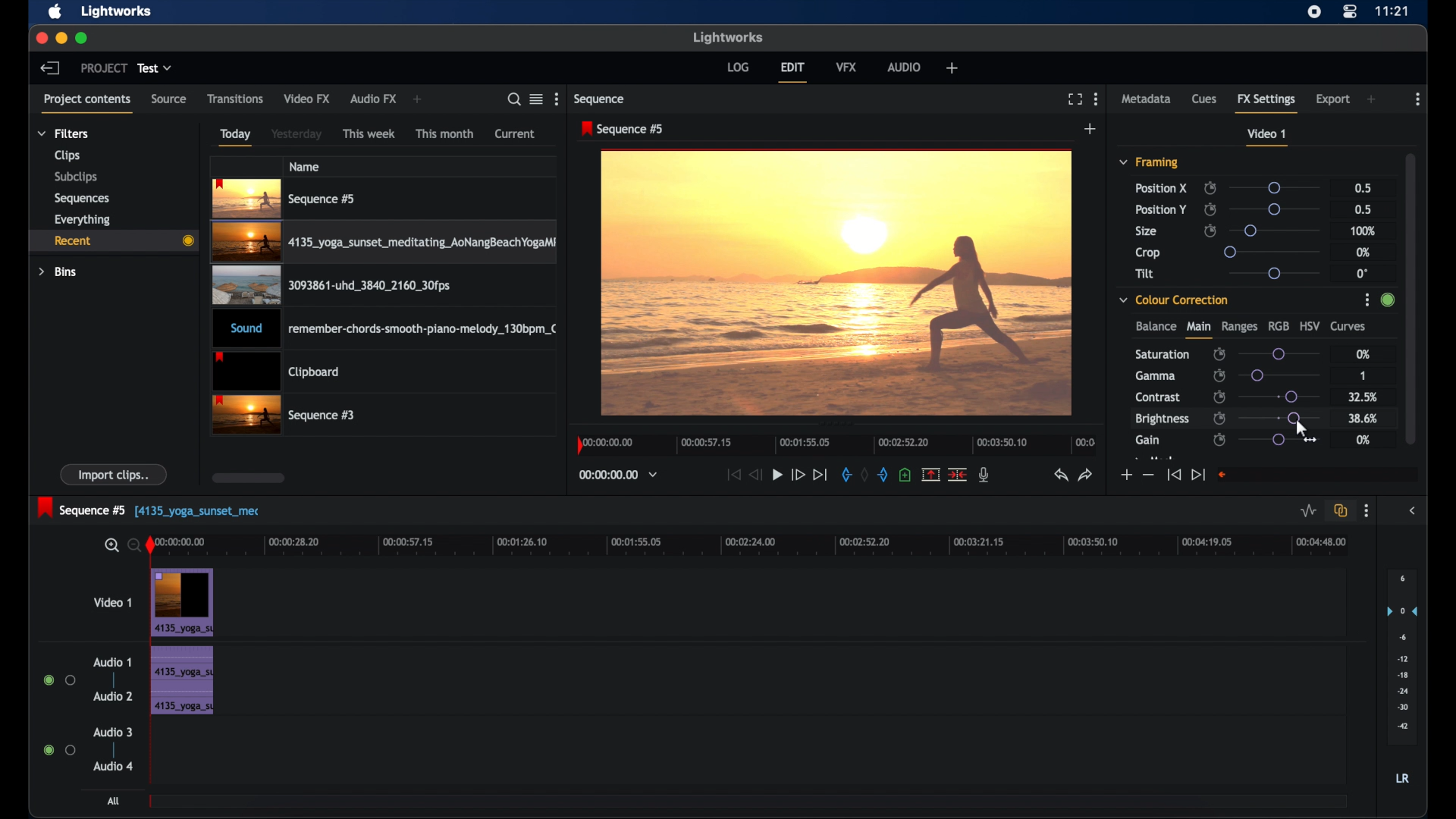  I want to click on add, so click(417, 99).